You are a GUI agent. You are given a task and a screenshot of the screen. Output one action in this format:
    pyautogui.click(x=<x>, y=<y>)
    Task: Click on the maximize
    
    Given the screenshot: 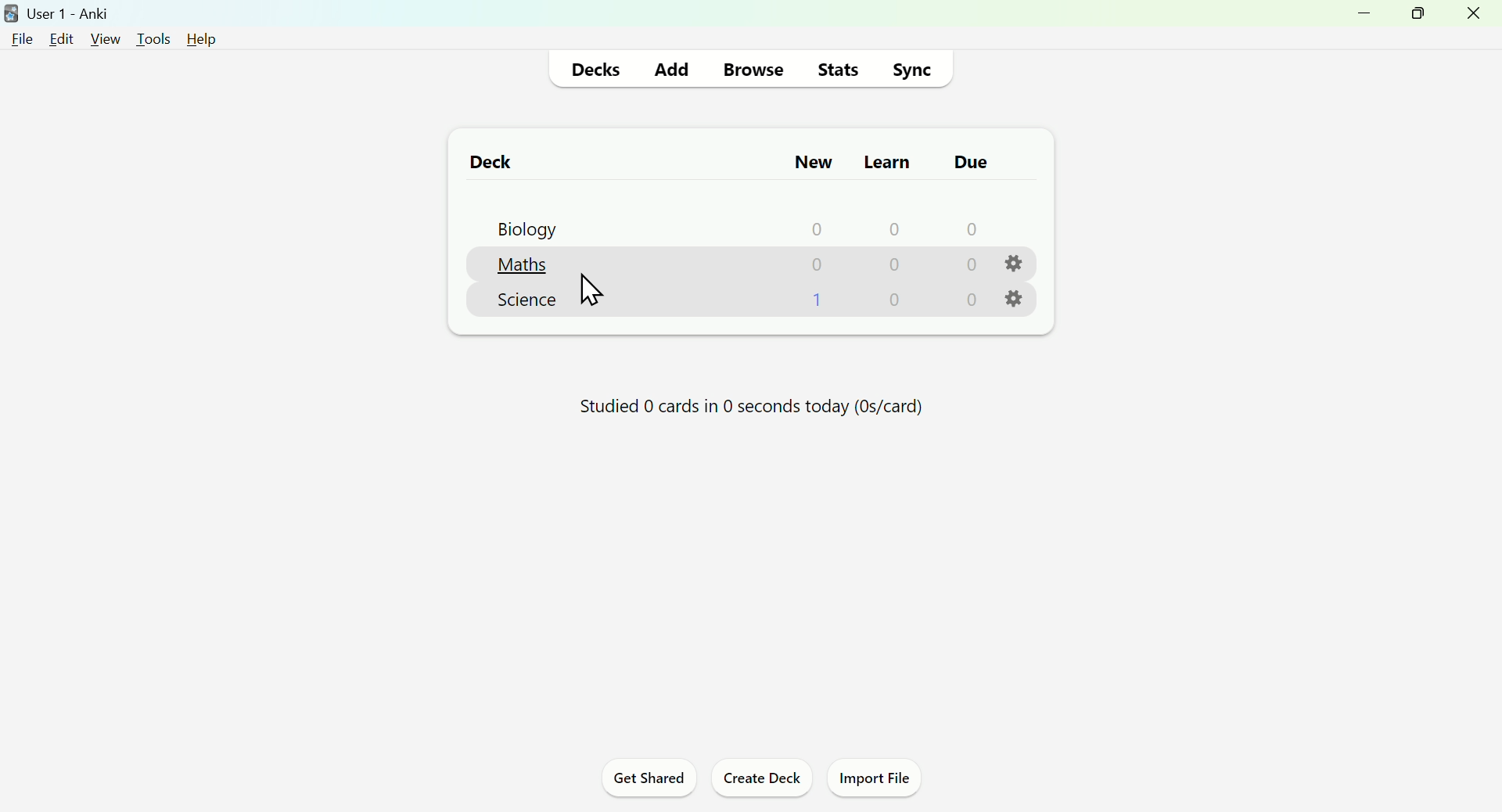 What is the action you would take?
    pyautogui.click(x=1416, y=14)
    